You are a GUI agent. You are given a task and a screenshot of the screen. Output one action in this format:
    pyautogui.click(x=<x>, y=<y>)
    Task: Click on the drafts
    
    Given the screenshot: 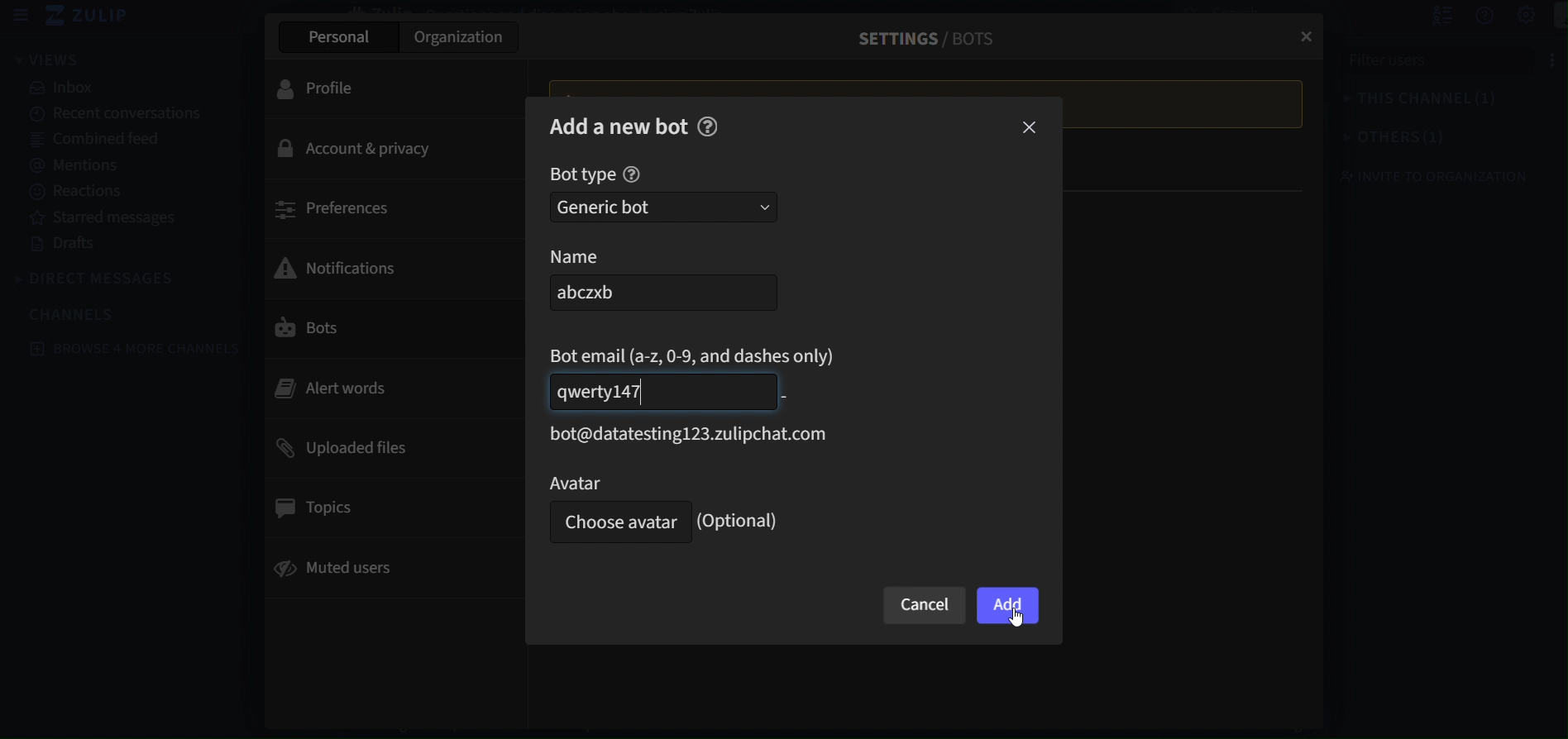 What is the action you would take?
    pyautogui.click(x=117, y=245)
    